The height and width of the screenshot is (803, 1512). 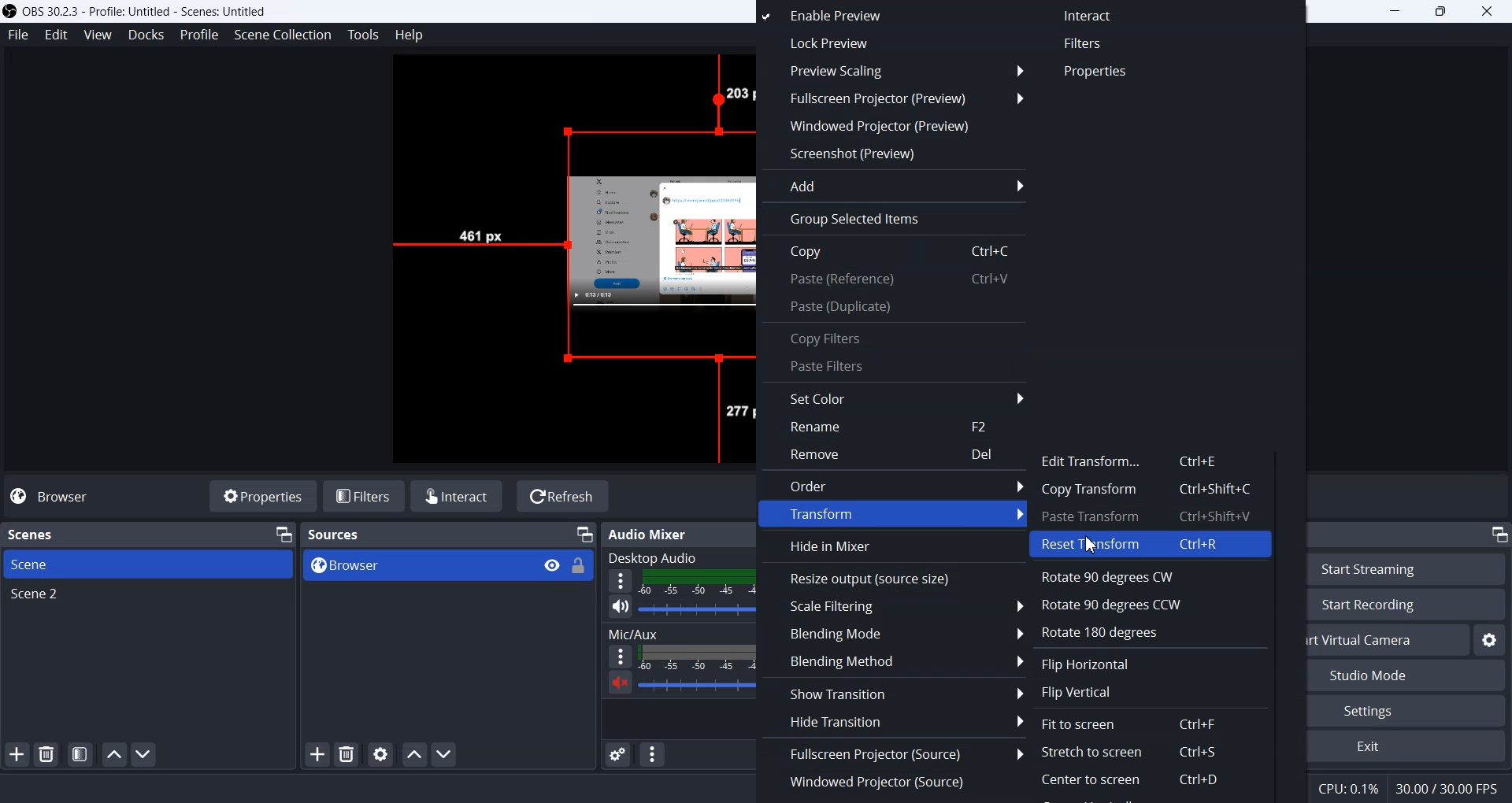 I want to click on Preview Scaling, so click(x=895, y=70).